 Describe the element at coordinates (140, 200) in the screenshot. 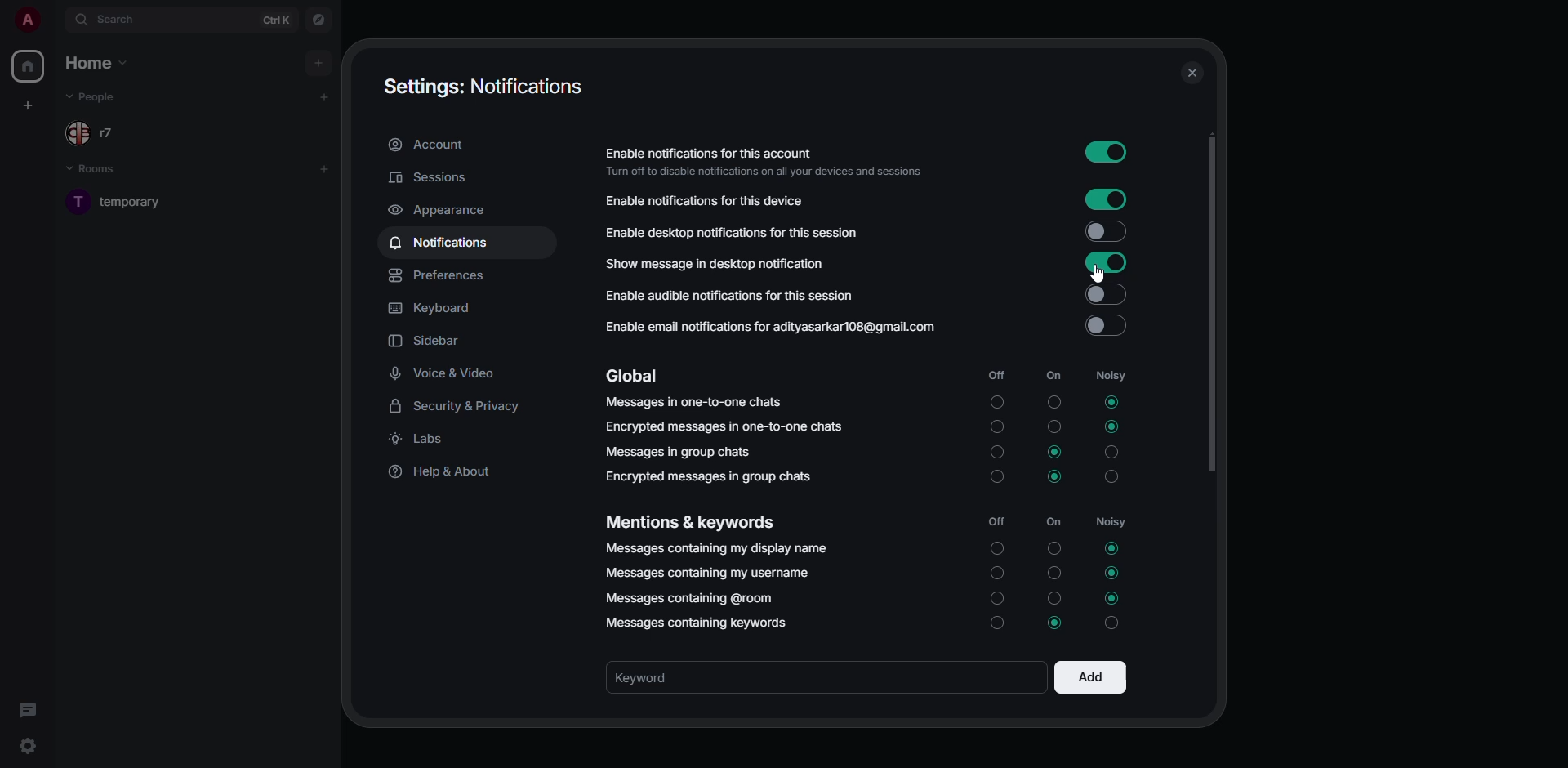

I see `room` at that location.